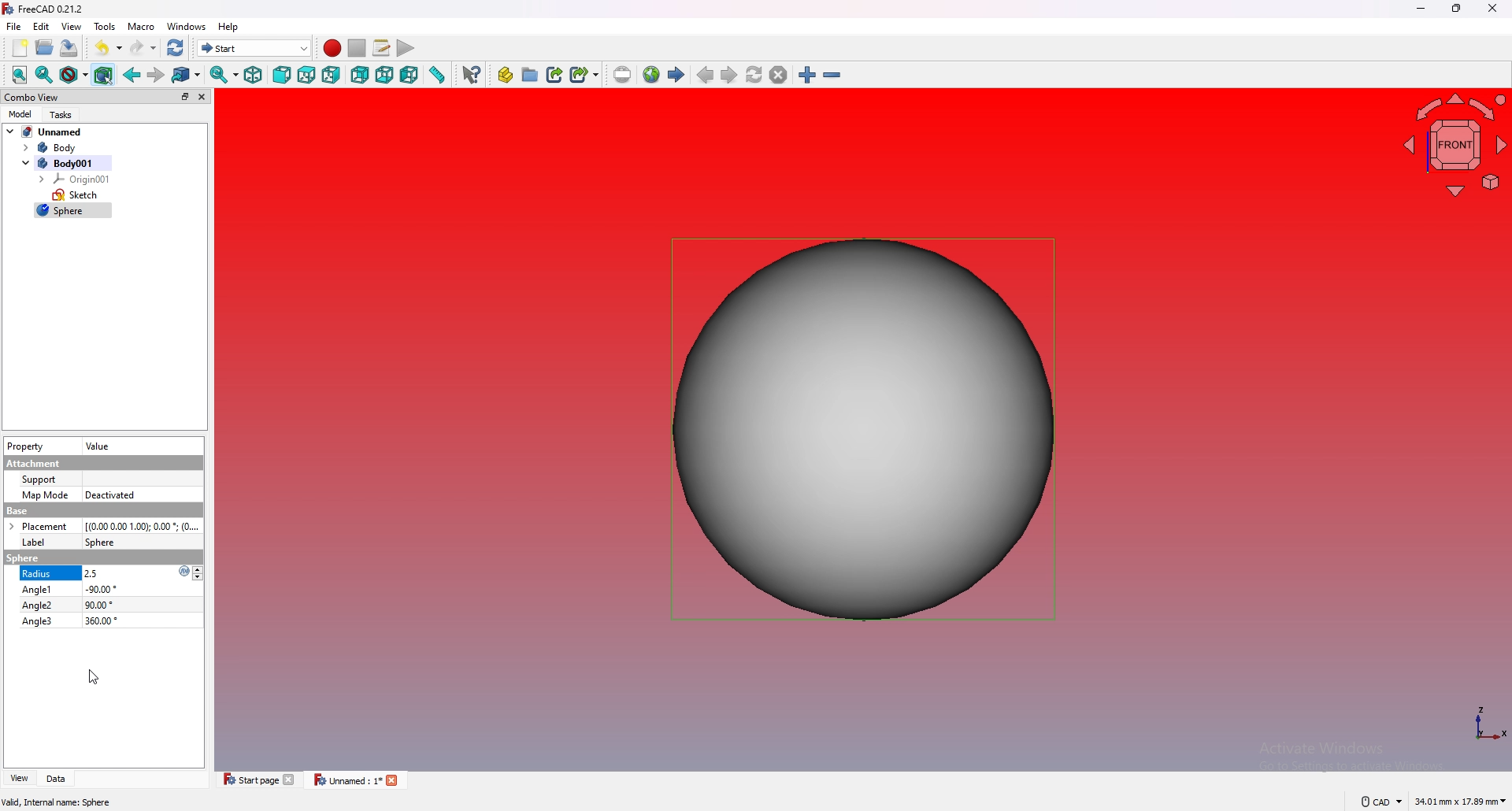  Describe the element at coordinates (255, 779) in the screenshot. I see `tab 1` at that location.